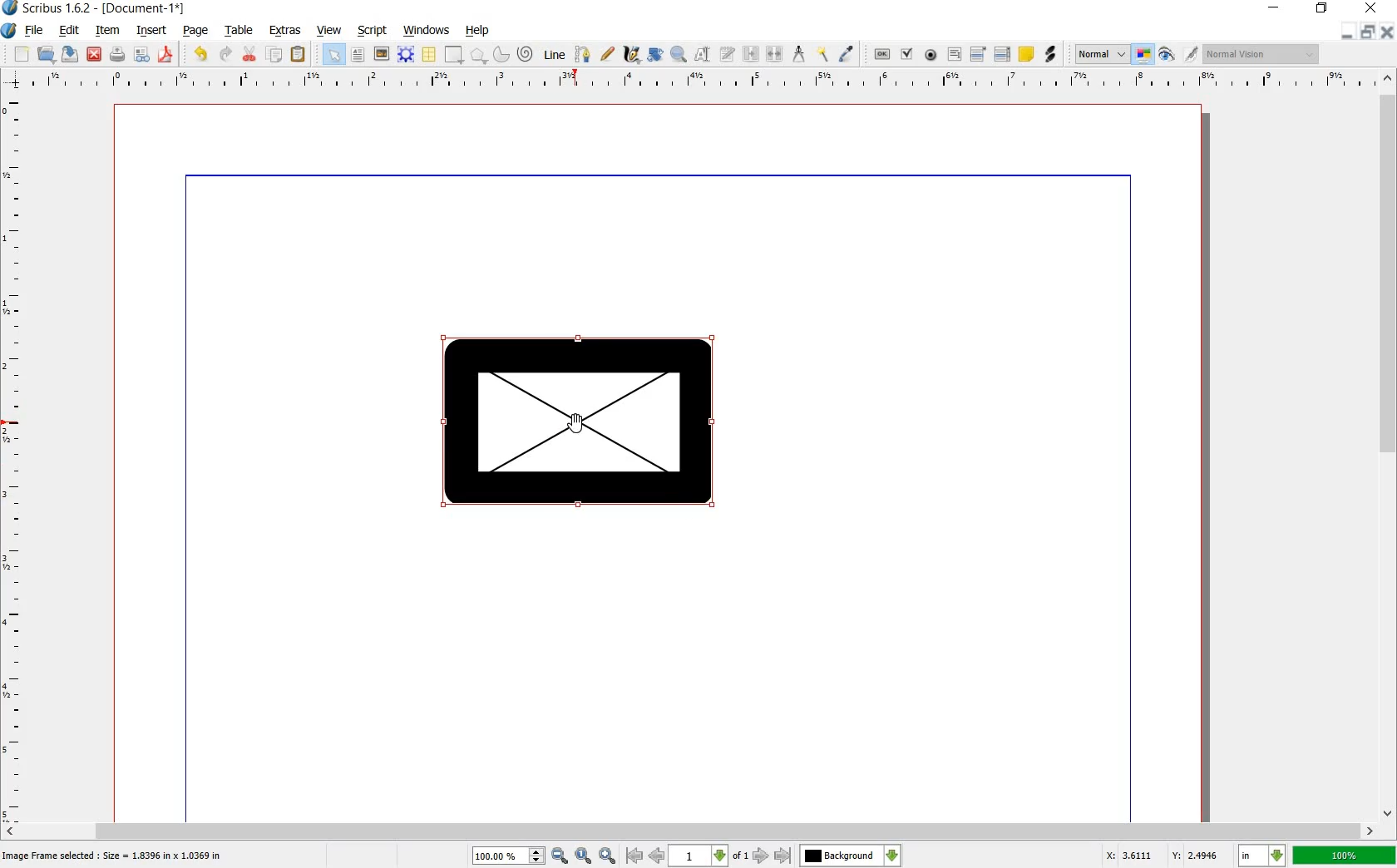 The width and height of the screenshot is (1397, 868). I want to click on zoom factor, so click(1345, 856).